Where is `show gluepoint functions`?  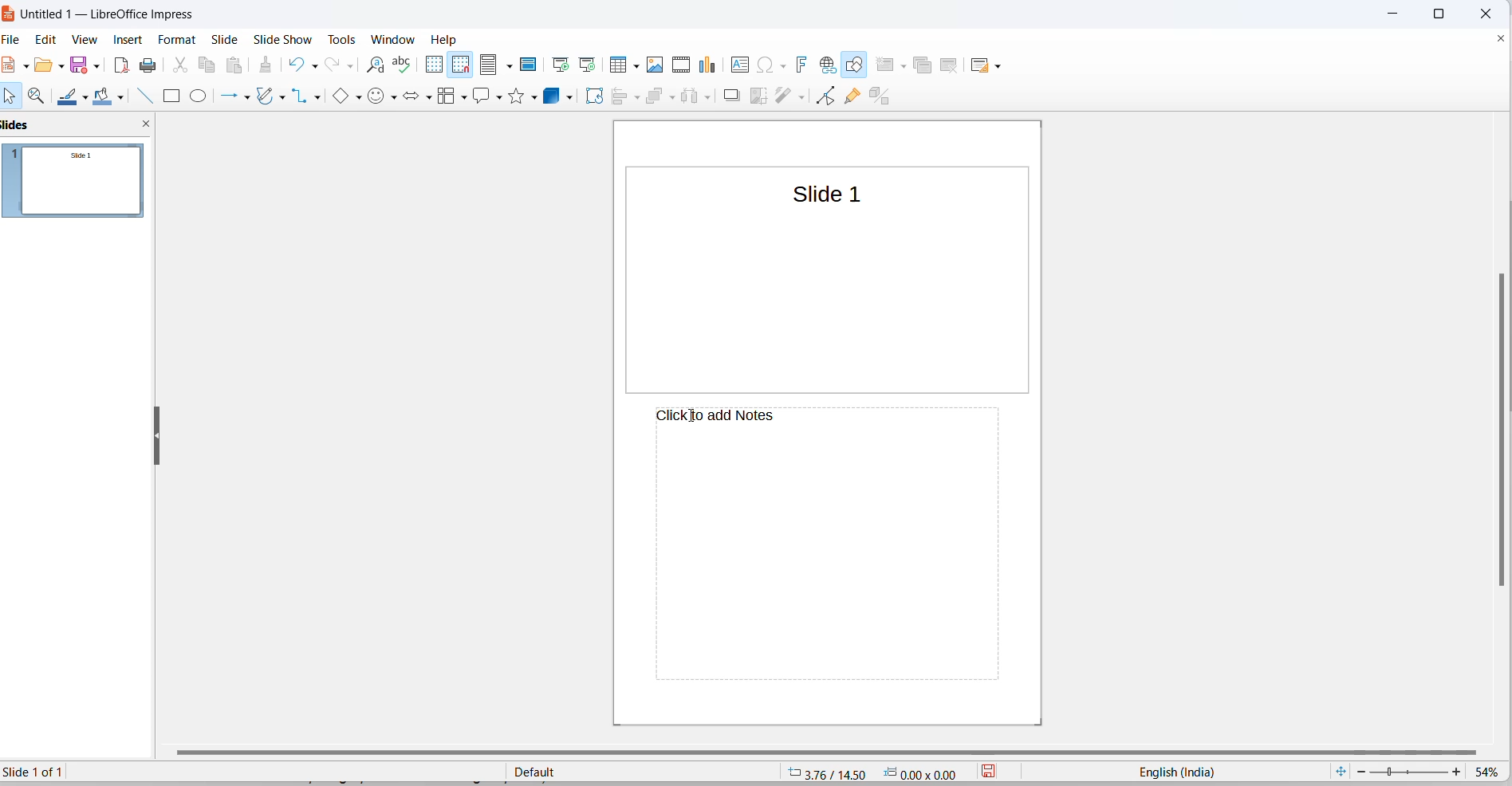 show gluepoint functions is located at coordinates (854, 98).